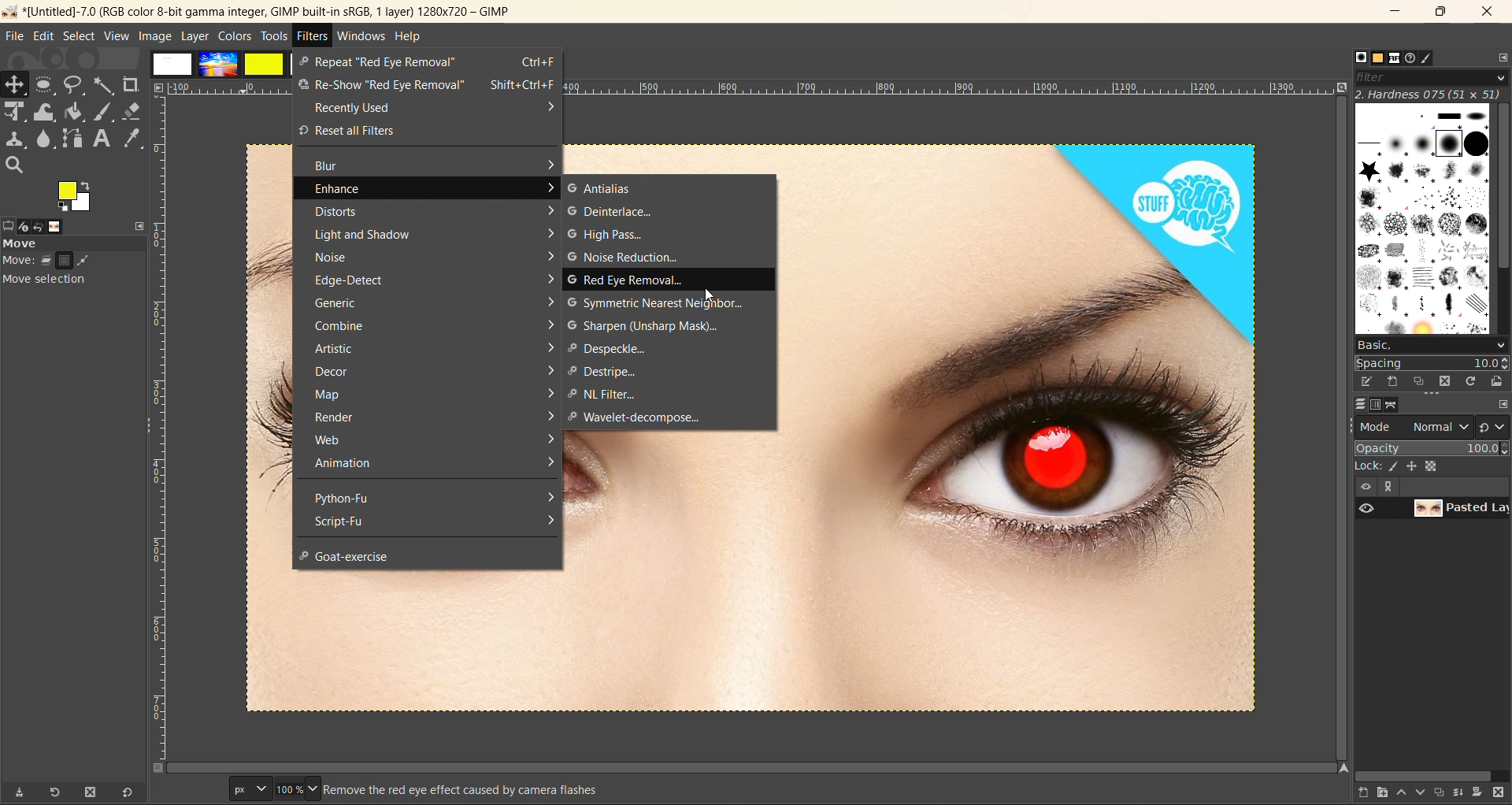 This screenshot has width=1512, height=805. Describe the element at coordinates (644, 415) in the screenshot. I see `wavelet decompose` at that location.